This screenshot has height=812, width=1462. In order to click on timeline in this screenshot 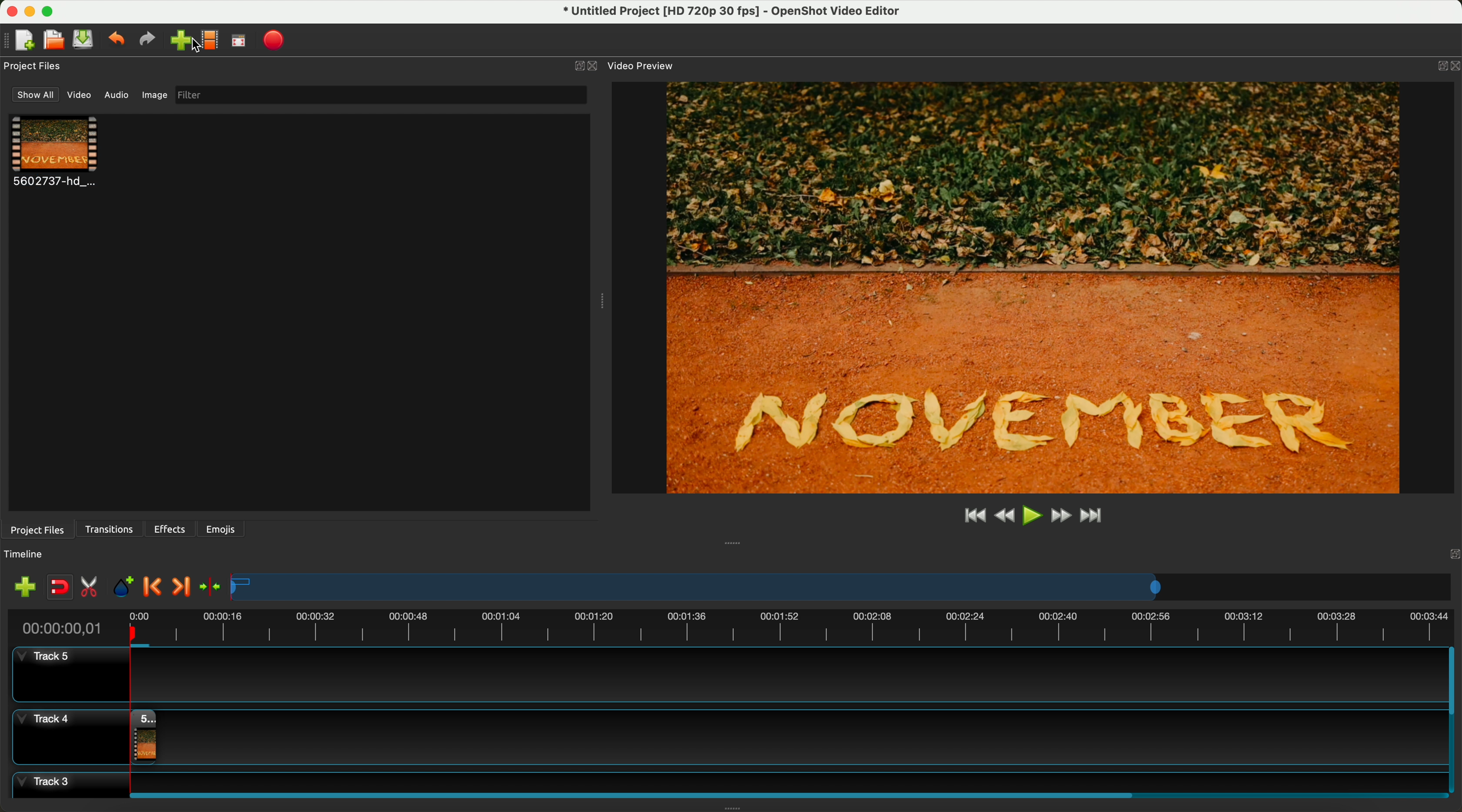, I will do `click(730, 626)`.